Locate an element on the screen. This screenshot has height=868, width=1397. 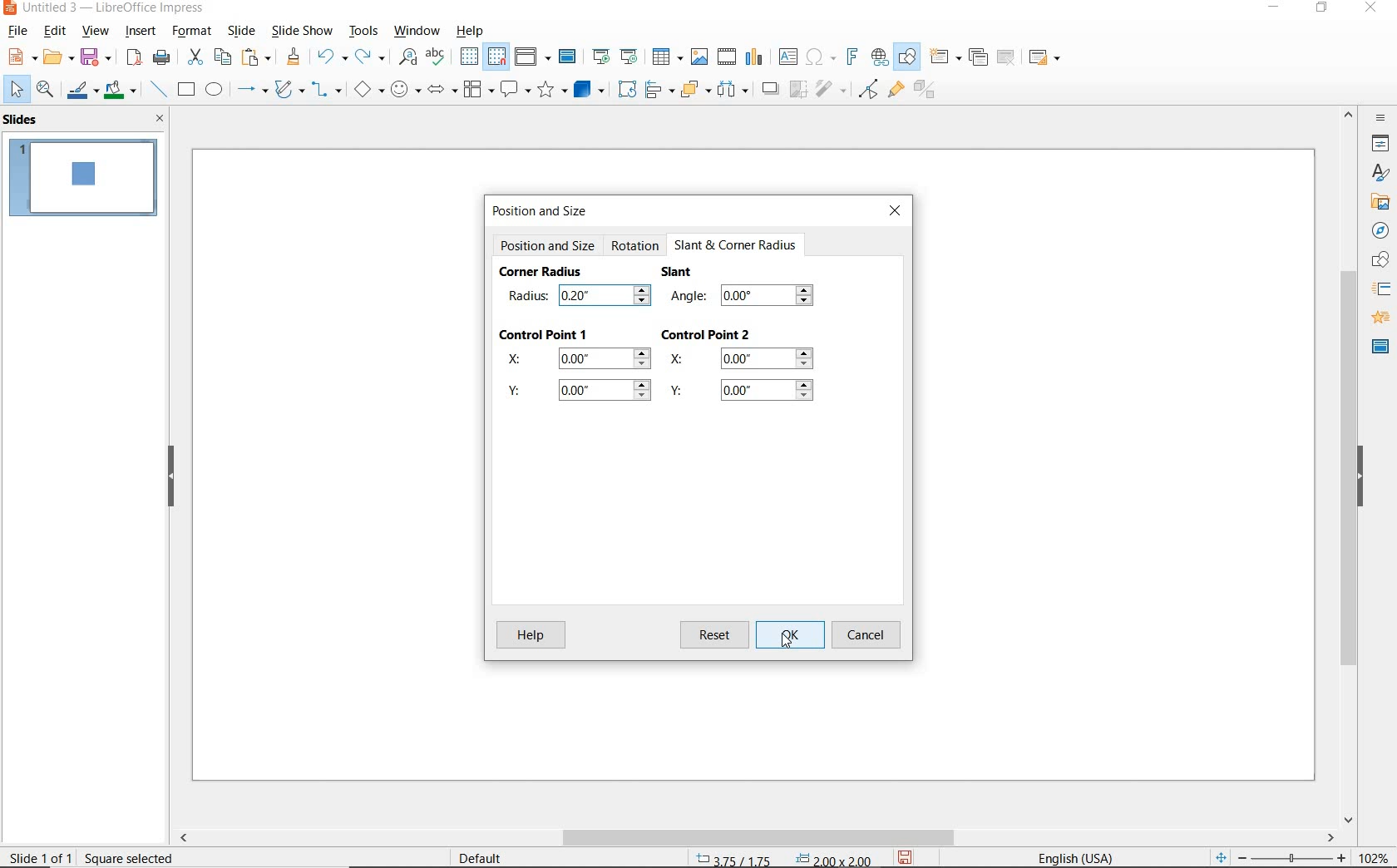
toggle point edit mode is located at coordinates (867, 91).